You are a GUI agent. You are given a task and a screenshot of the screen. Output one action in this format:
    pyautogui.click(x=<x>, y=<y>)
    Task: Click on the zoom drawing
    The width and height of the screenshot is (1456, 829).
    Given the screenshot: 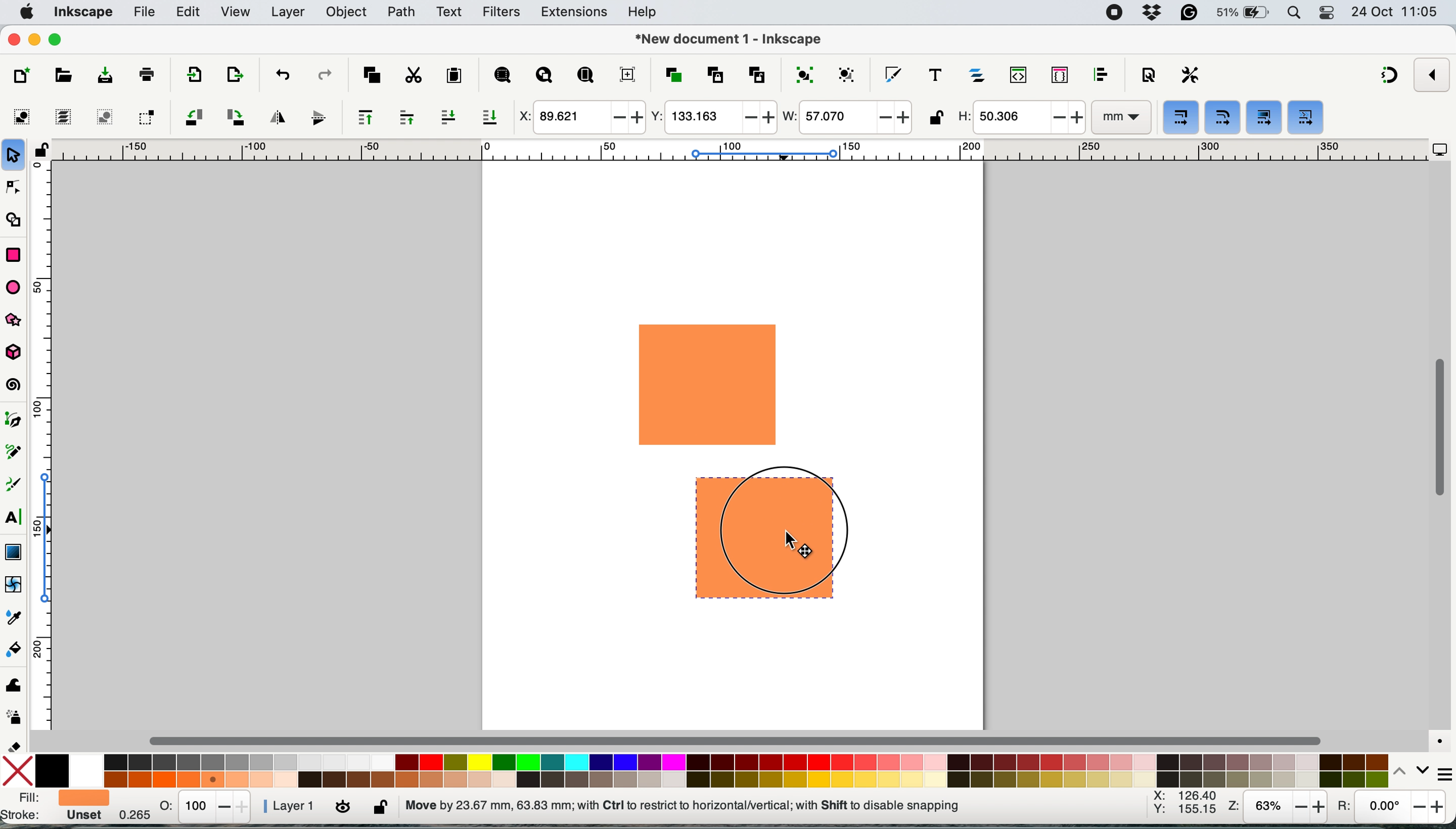 What is the action you would take?
    pyautogui.click(x=544, y=77)
    